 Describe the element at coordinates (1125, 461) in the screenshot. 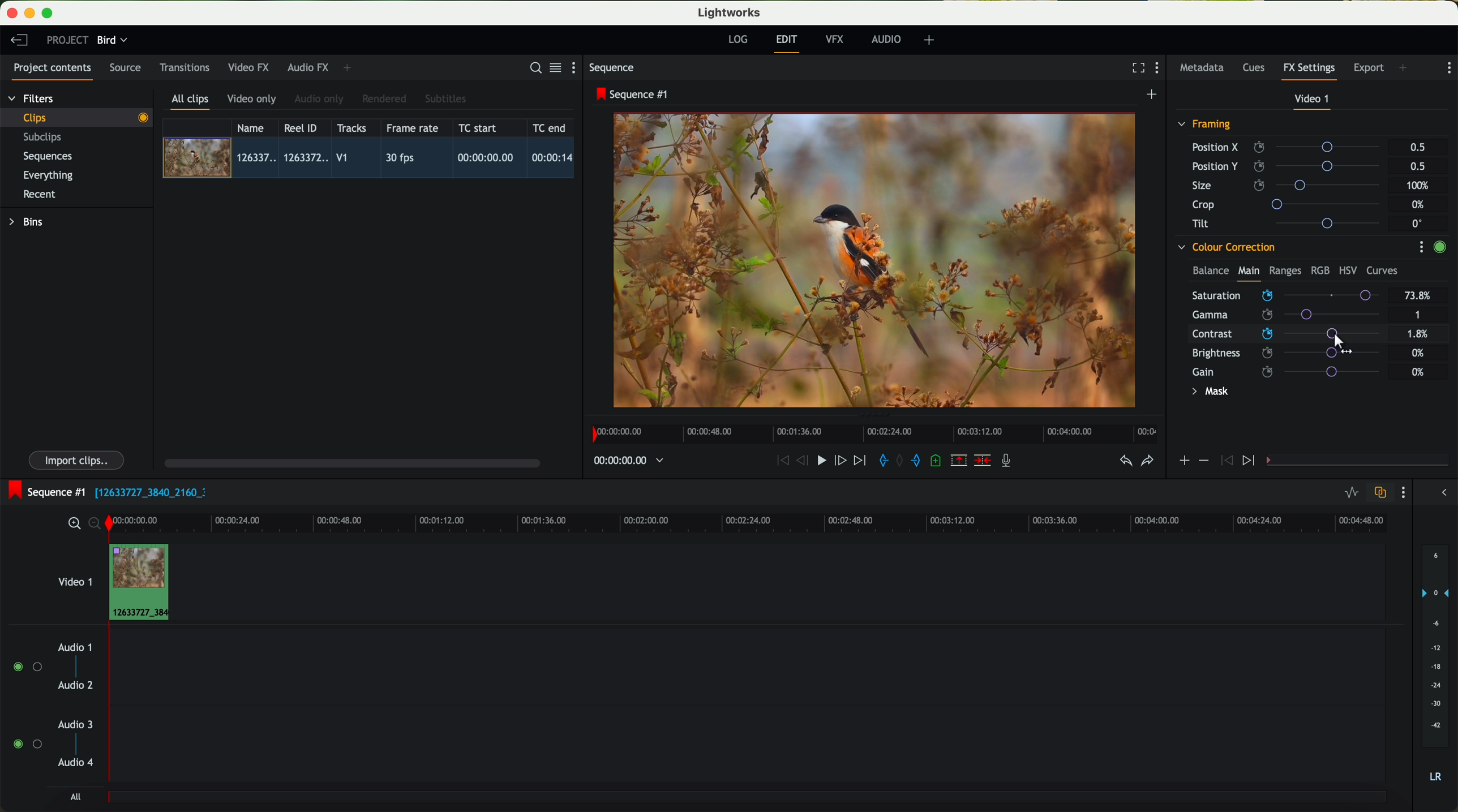

I see `undo` at that location.